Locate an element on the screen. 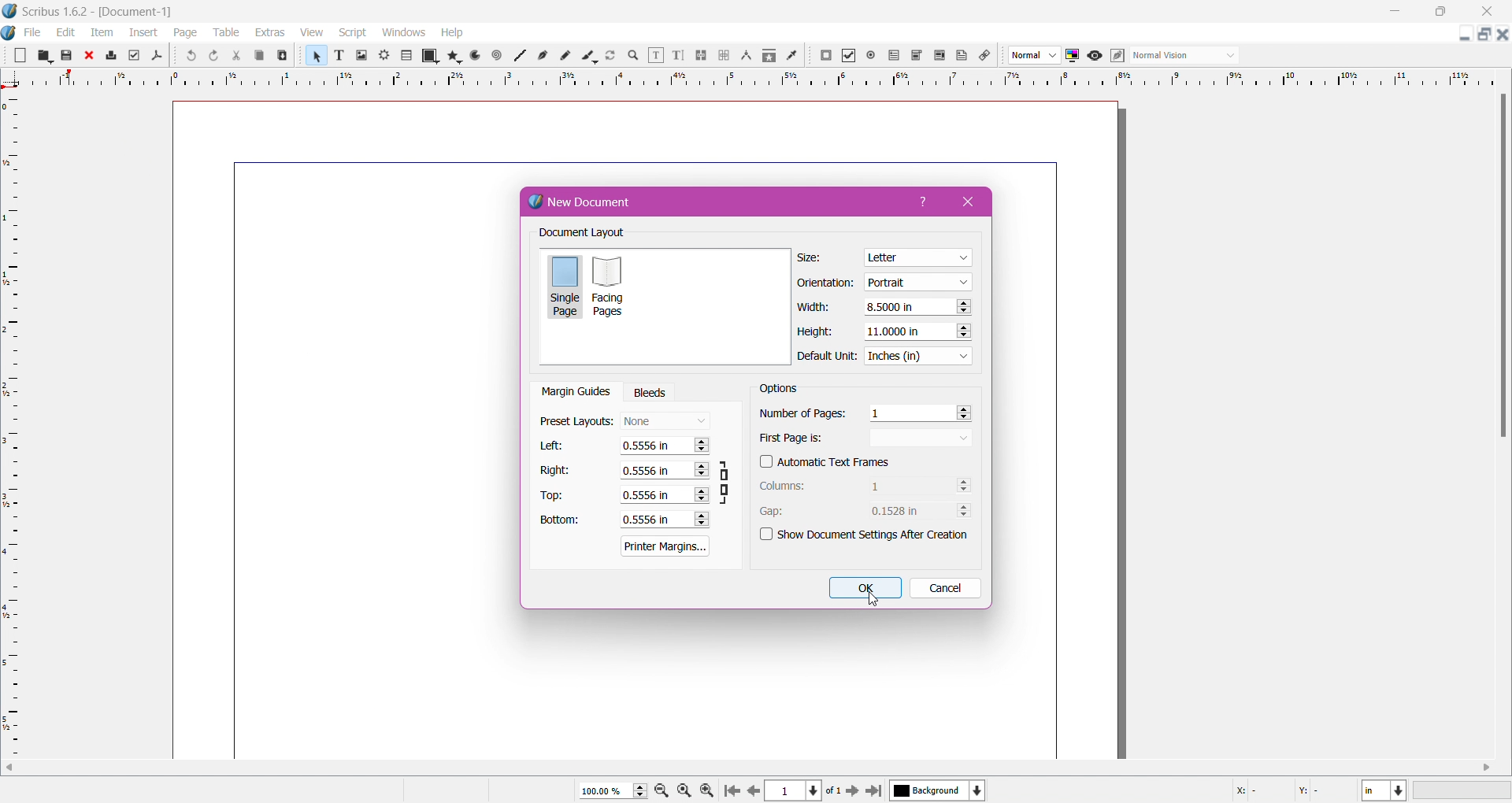  icon is located at coordinates (408, 56).